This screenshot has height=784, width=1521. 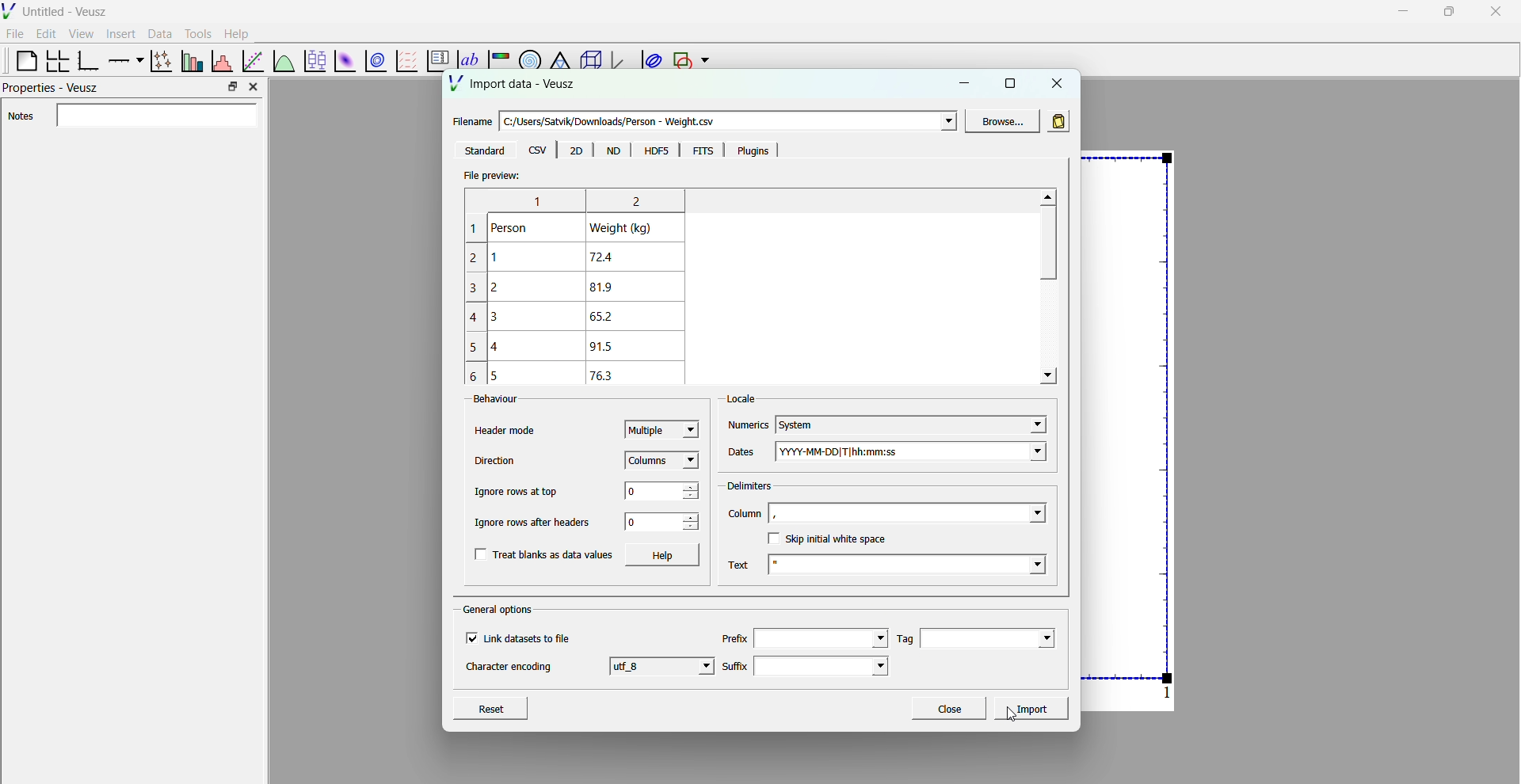 What do you see at coordinates (734, 662) in the screenshot?
I see `Suffix` at bounding box center [734, 662].